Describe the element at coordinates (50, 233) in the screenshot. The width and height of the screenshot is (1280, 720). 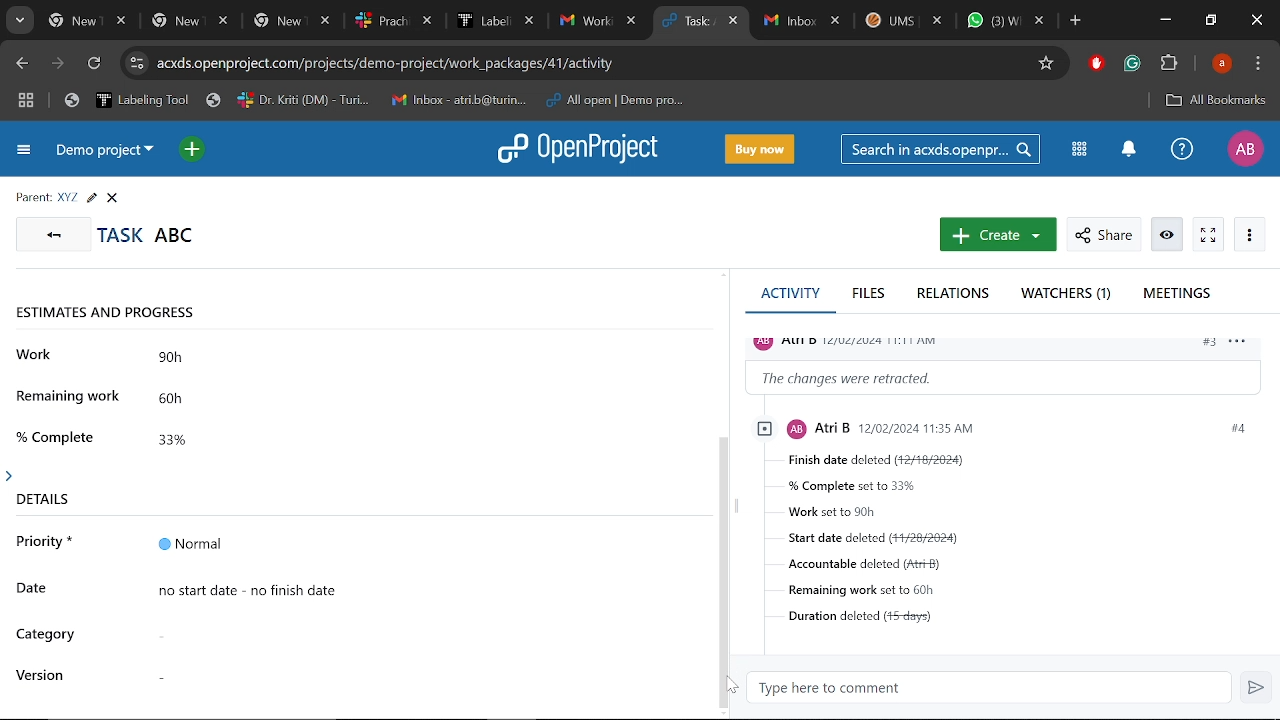
I see `GO back` at that location.